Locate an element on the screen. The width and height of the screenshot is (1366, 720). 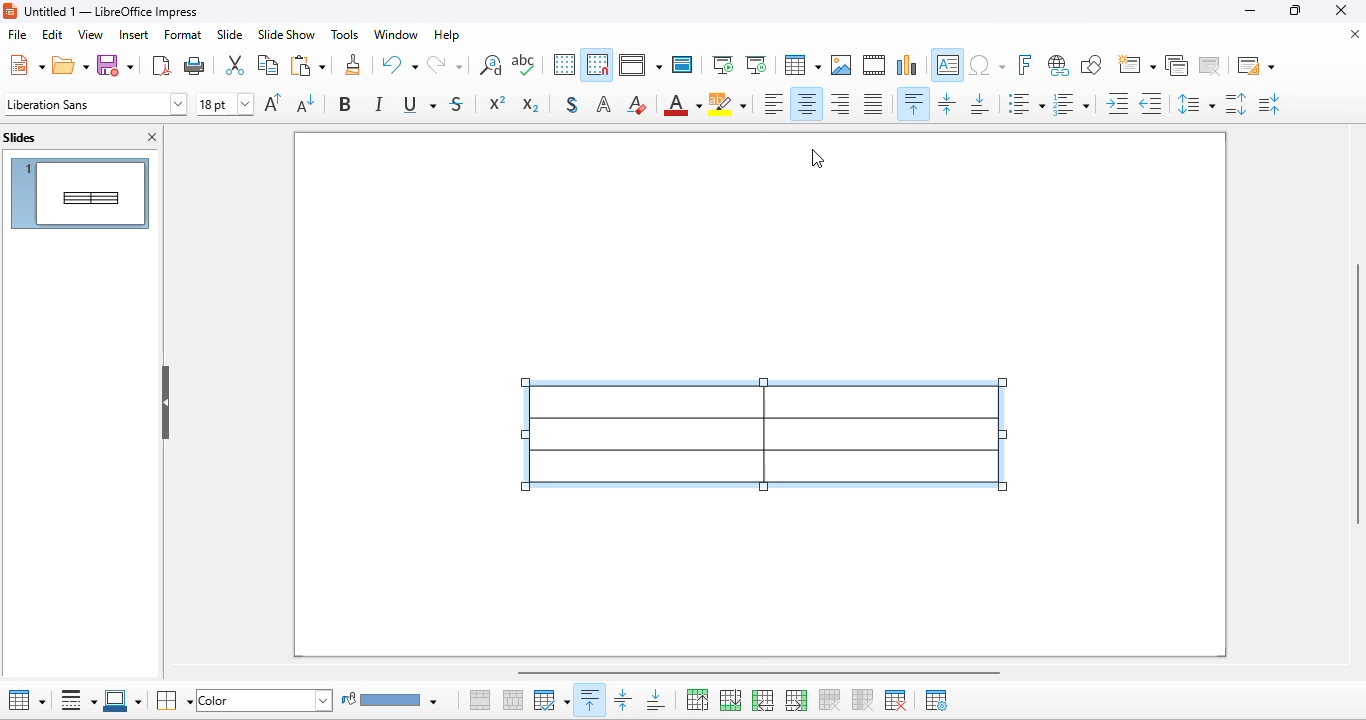
slide show is located at coordinates (286, 35).